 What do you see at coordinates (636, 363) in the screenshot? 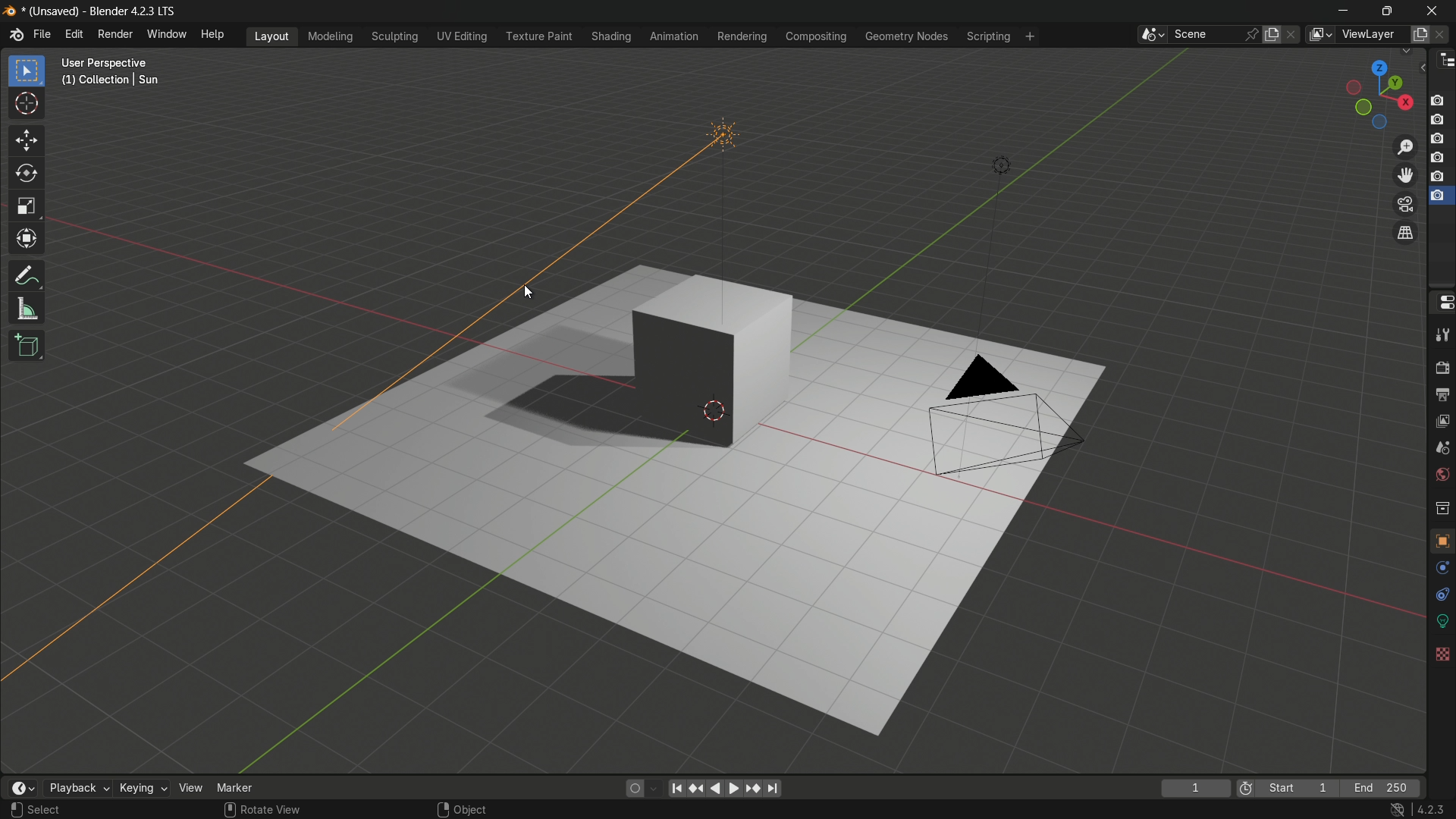
I see `cube and its shadow due to the rotation of the Sun` at bounding box center [636, 363].